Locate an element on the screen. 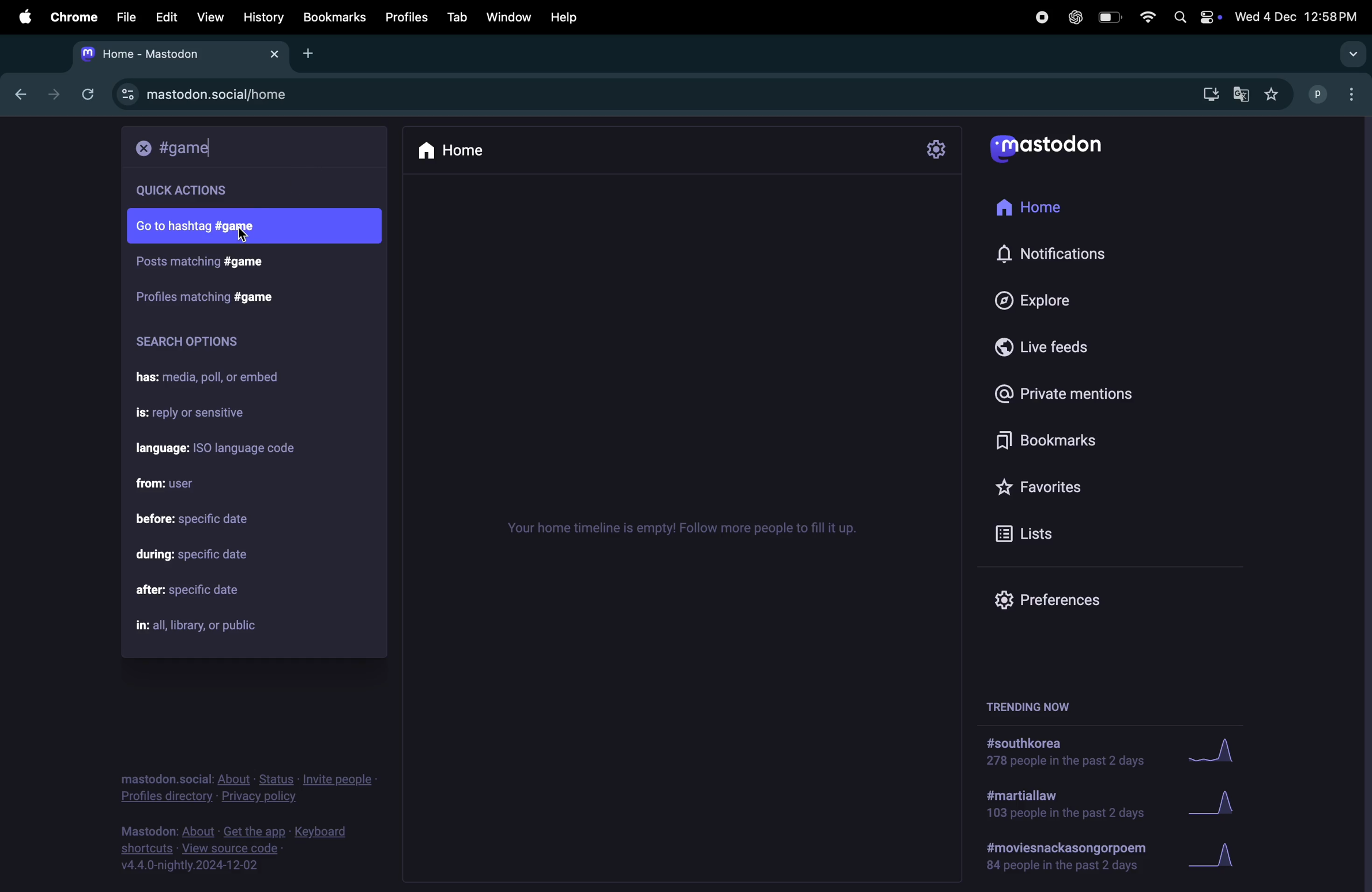 Image resolution: width=1372 pixels, height=892 pixels. #games is located at coordinates (205, 294).